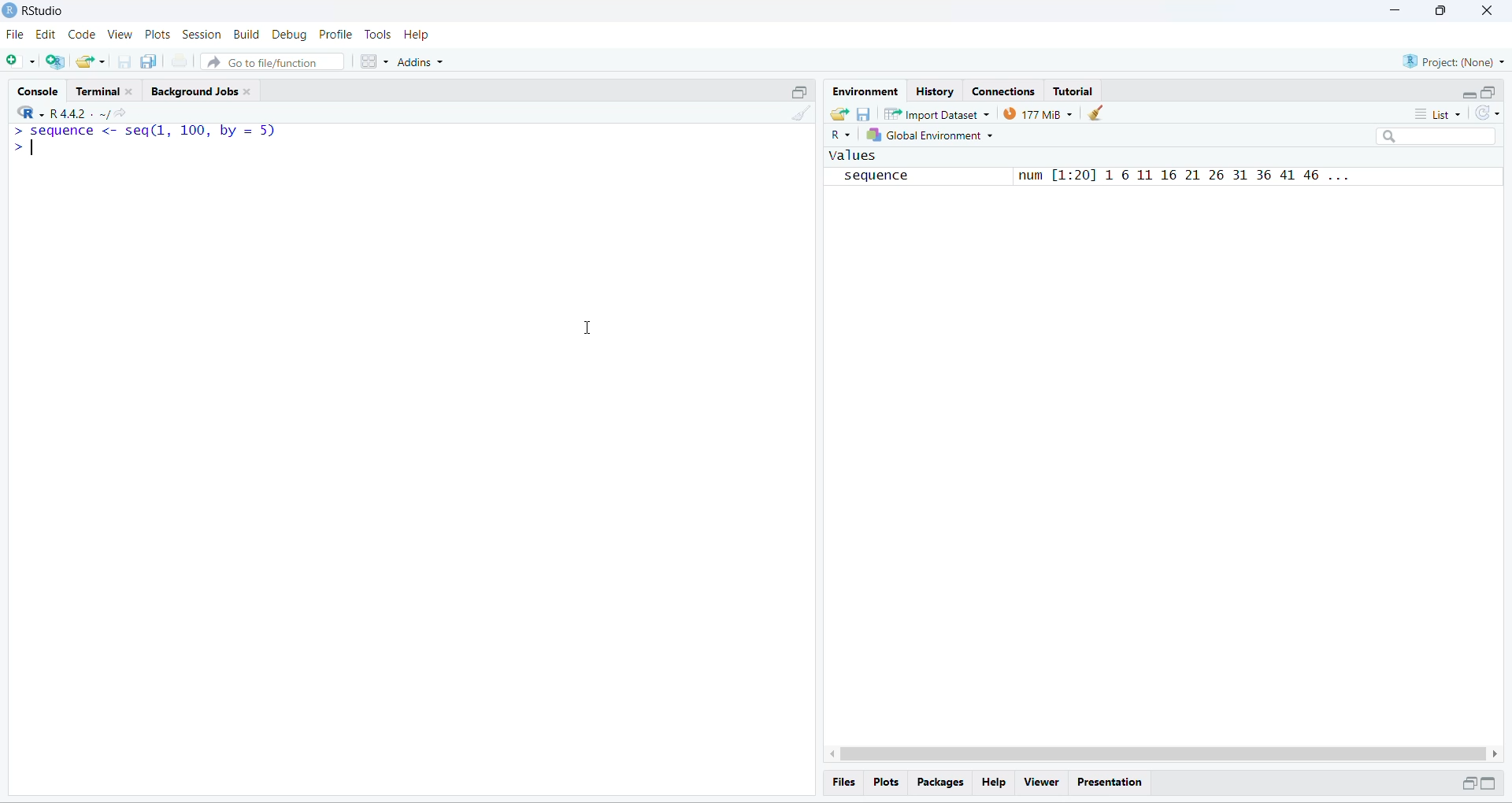 This screenshot has height=803, width=1512. Describe the element at coordinates (1441, 11) in the screenshot. I see `maximise` at that location.